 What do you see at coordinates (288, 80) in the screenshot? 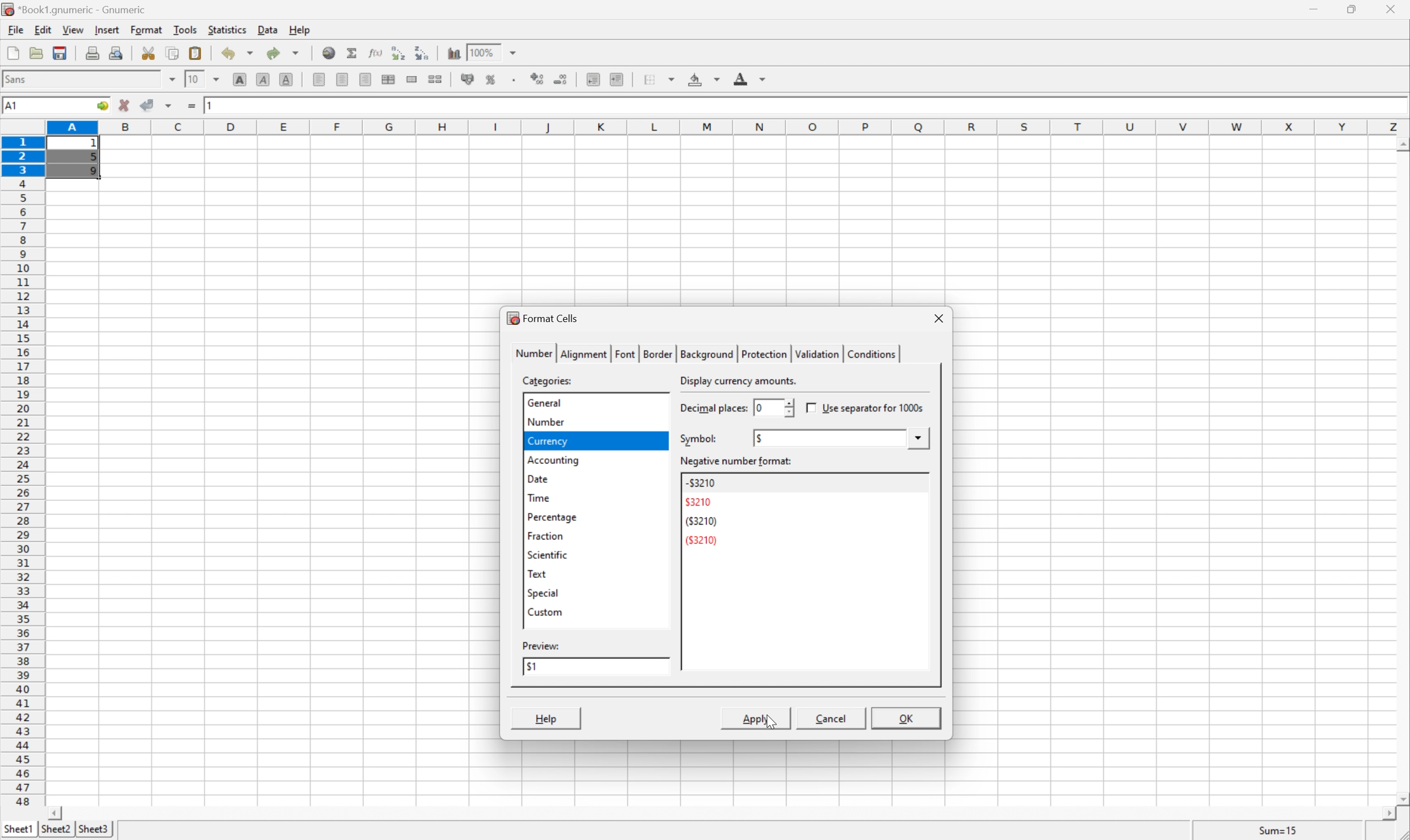
I see `underline` at bounding box center [288, 80].